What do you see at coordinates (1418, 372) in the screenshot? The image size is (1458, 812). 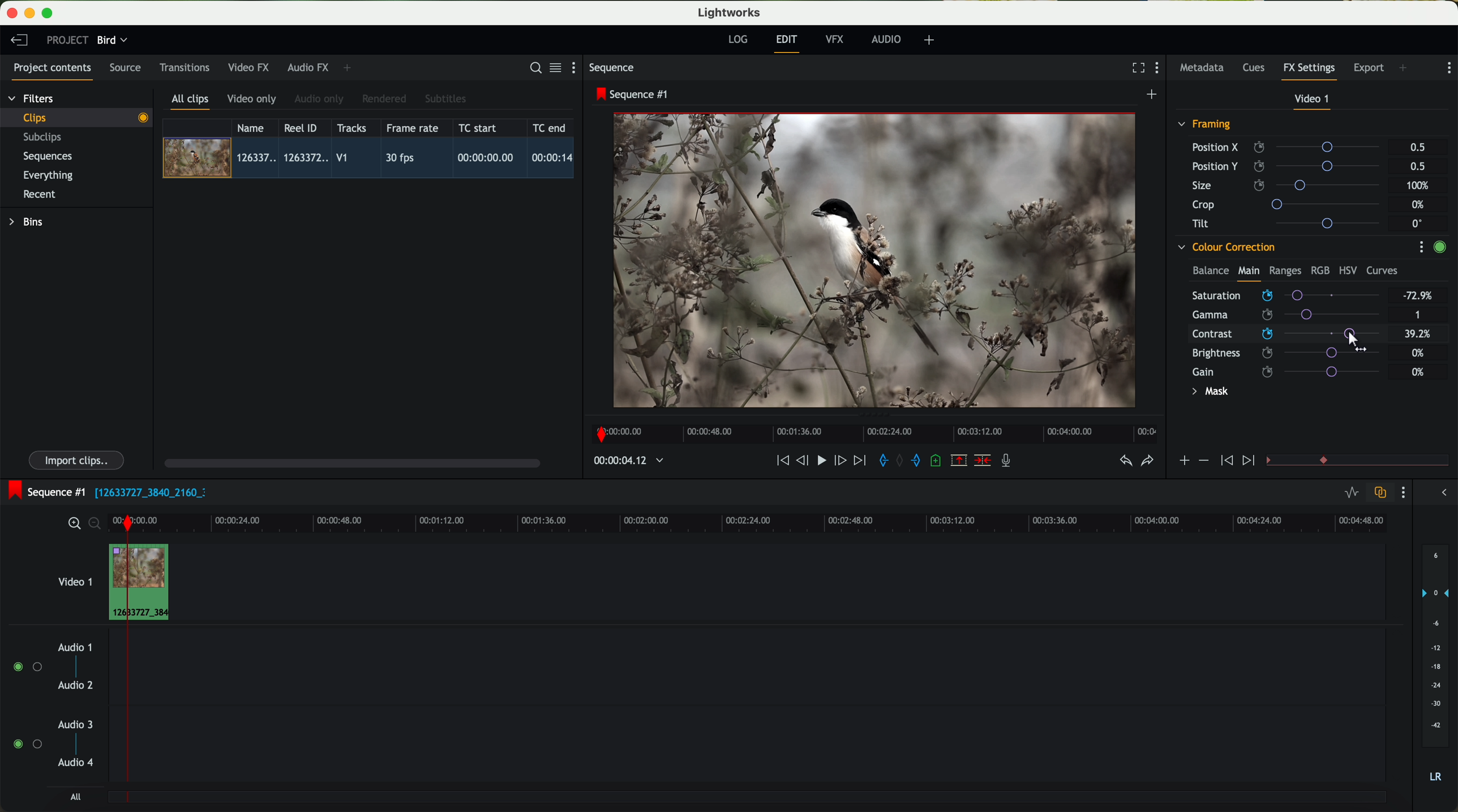 I see `0%` at bounding box center [1418, 372].